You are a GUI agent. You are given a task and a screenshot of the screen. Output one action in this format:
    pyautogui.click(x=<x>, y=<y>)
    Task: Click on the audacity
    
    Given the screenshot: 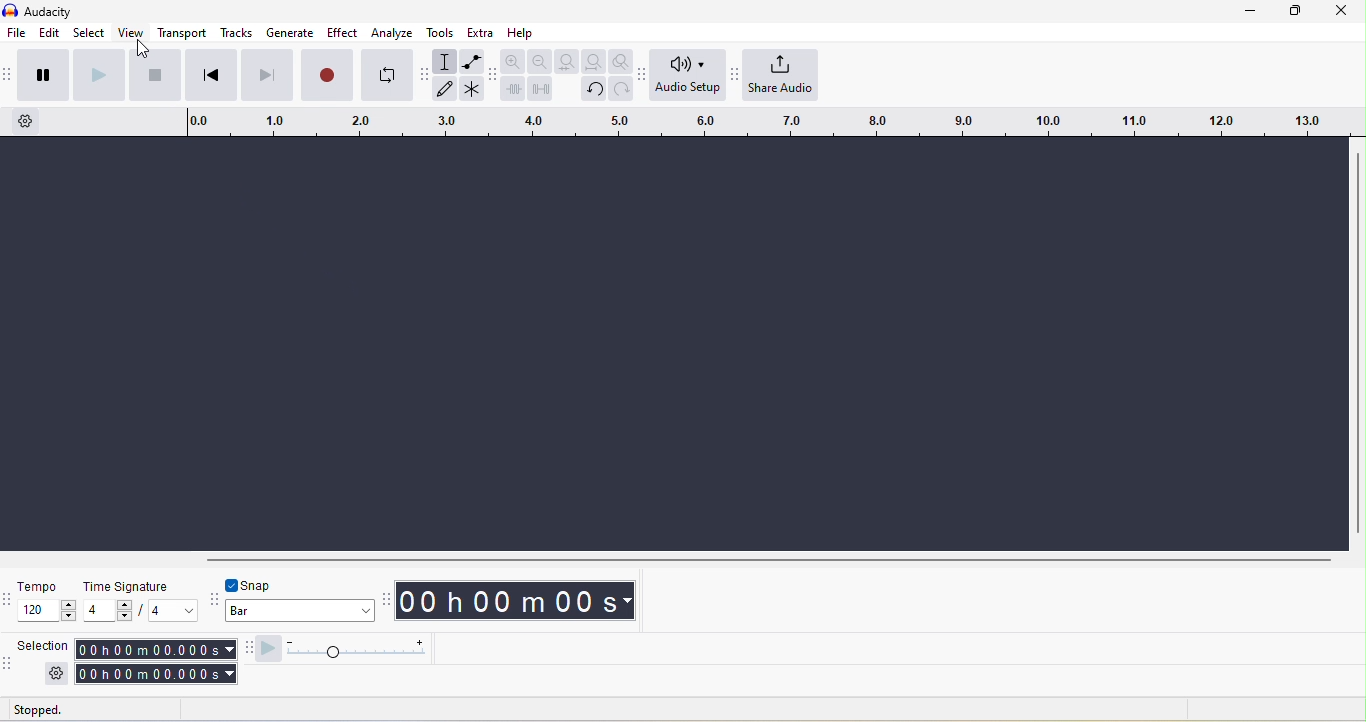 What is the action you would take?
    pyautogui.click(x=48, y=12)
    